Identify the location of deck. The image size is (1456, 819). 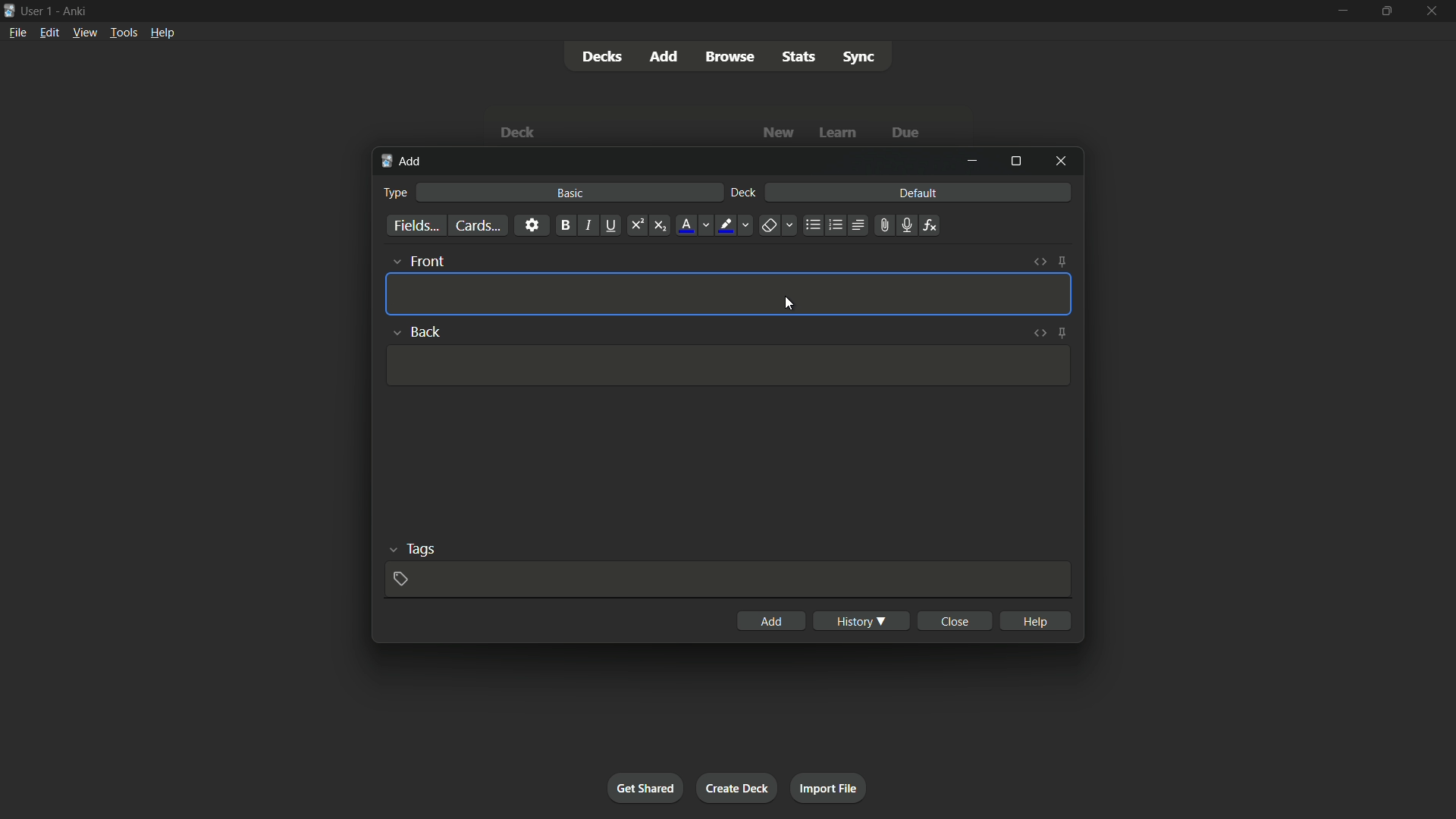
(744, 193).